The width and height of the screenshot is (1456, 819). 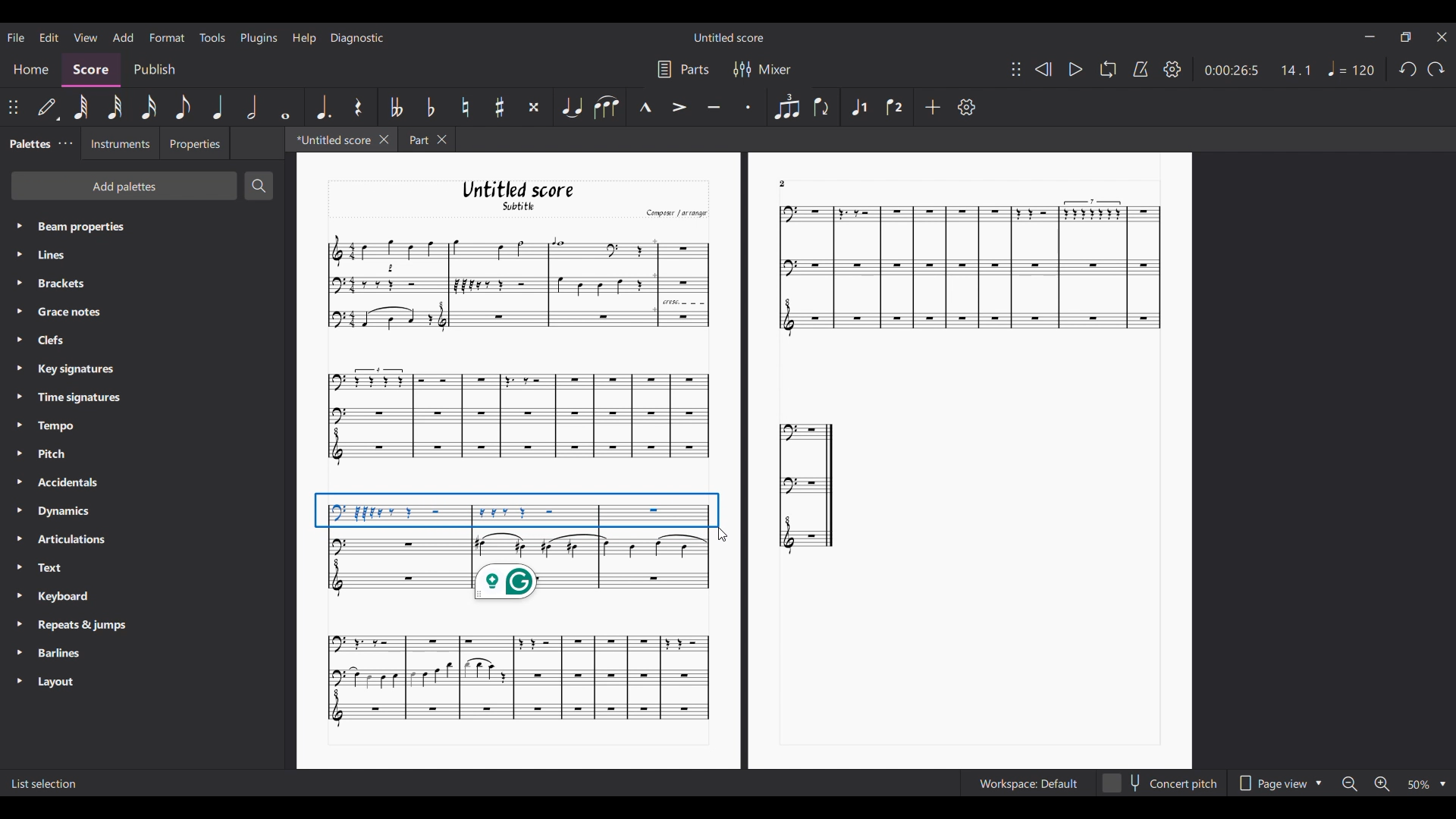 What do you see at coordinates (1172, 69) in the screenshot?
I see `Settings` at bounding box center [1172, 69].